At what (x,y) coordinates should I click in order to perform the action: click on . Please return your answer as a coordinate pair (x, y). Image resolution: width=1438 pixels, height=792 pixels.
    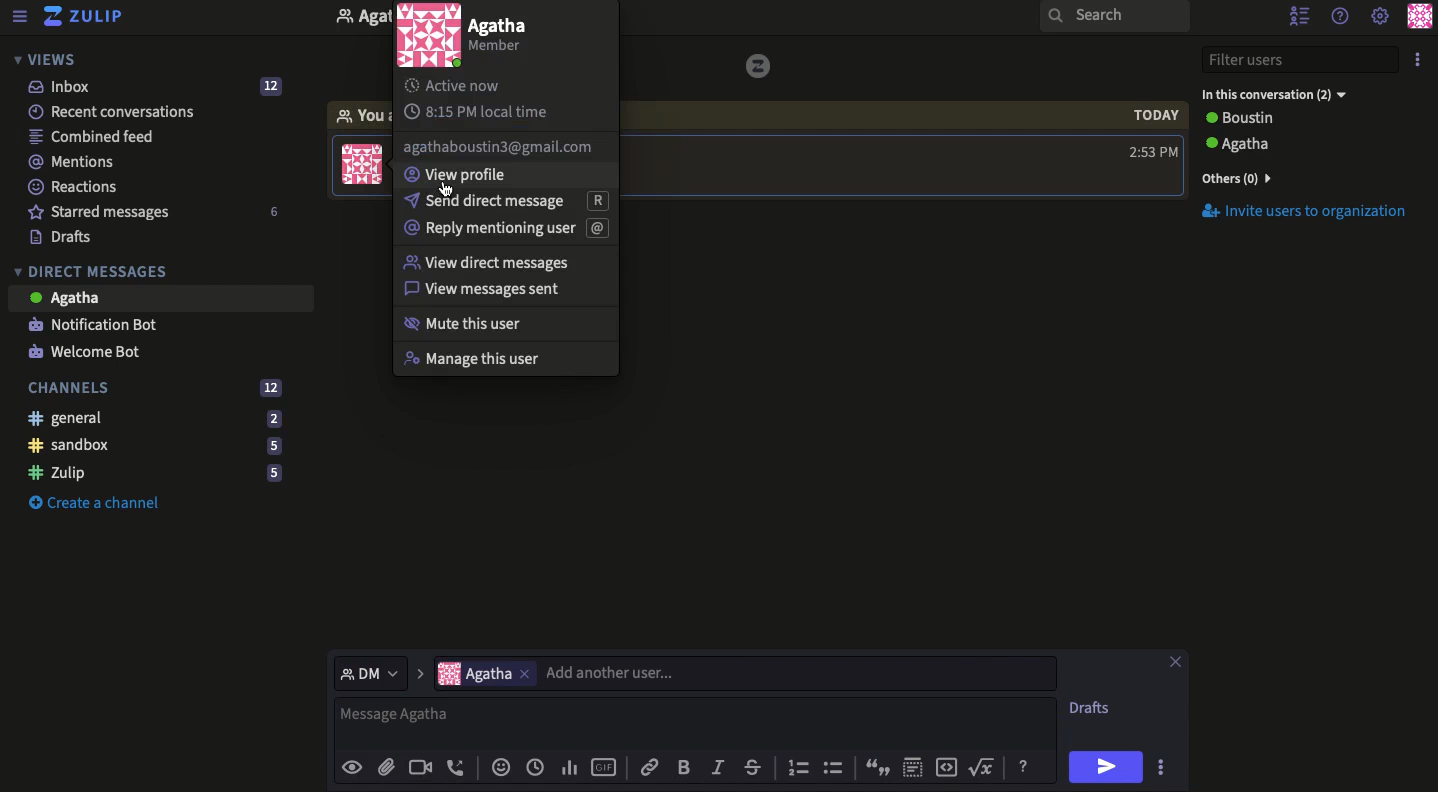
    Looking at the image, I should click on (524, 673).